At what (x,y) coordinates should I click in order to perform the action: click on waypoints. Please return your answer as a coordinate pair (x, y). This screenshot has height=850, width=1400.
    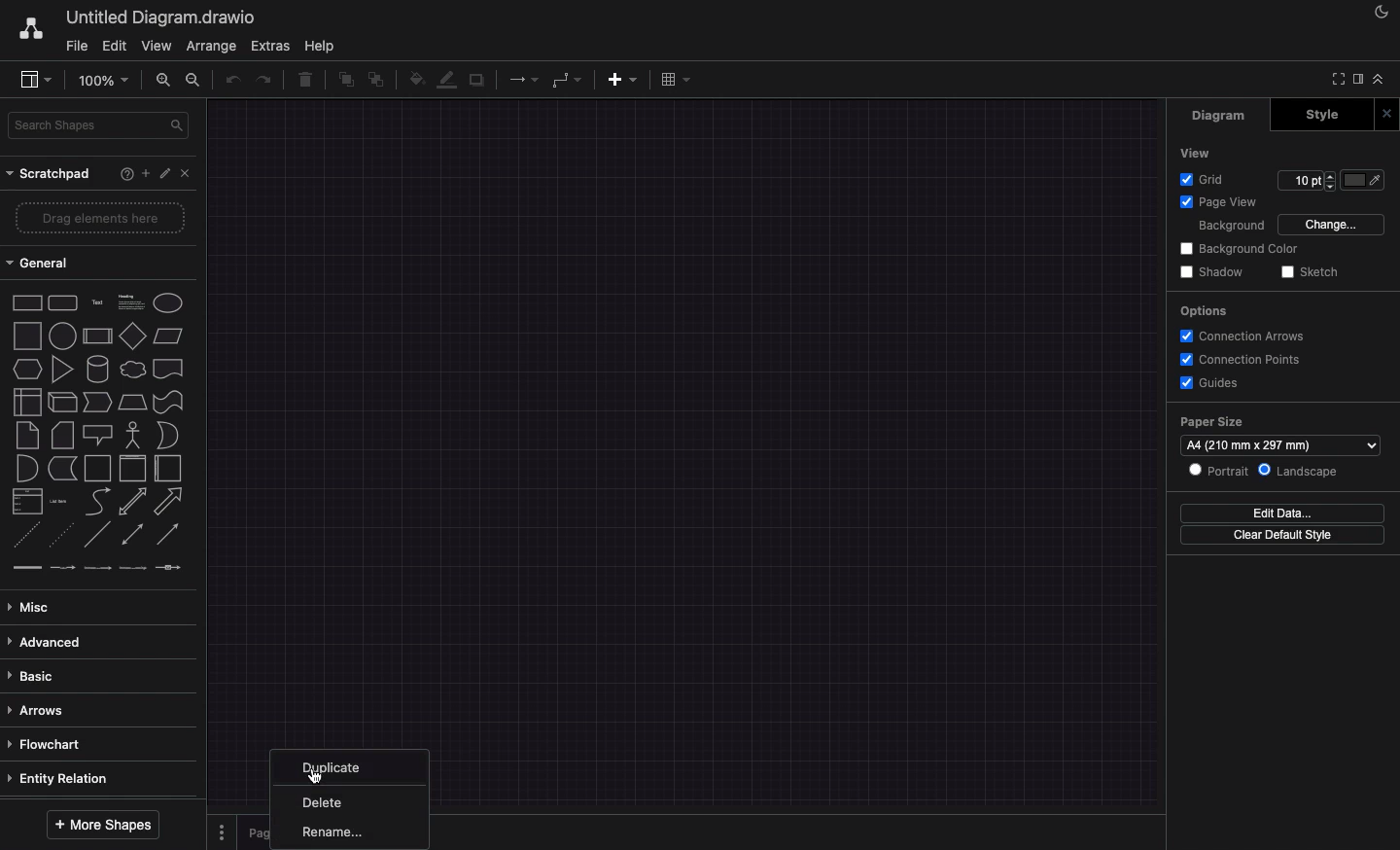
    Looking at the image, I should click on (570, 79).